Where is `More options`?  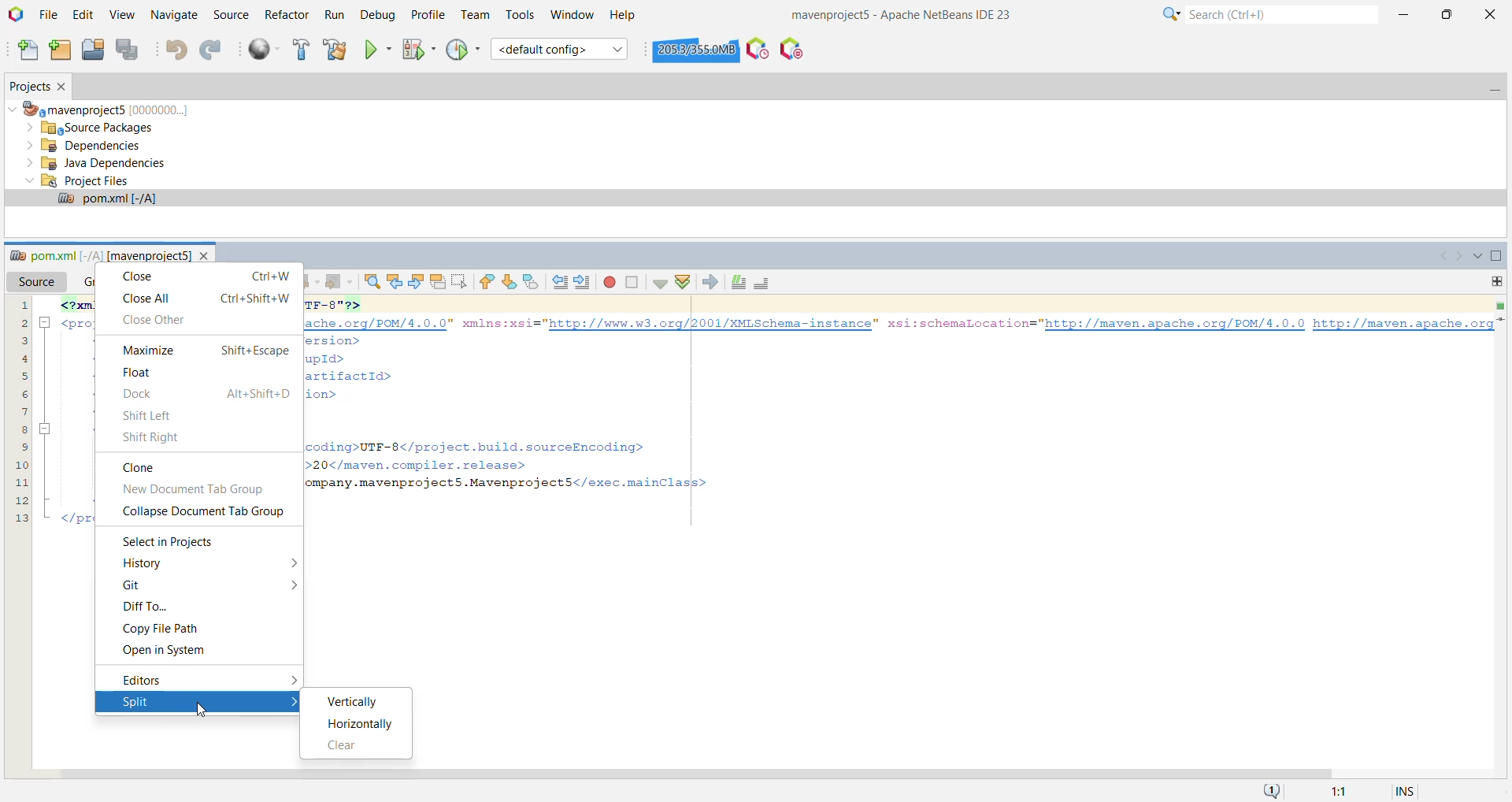 More options is located at coordinates (291, 702).